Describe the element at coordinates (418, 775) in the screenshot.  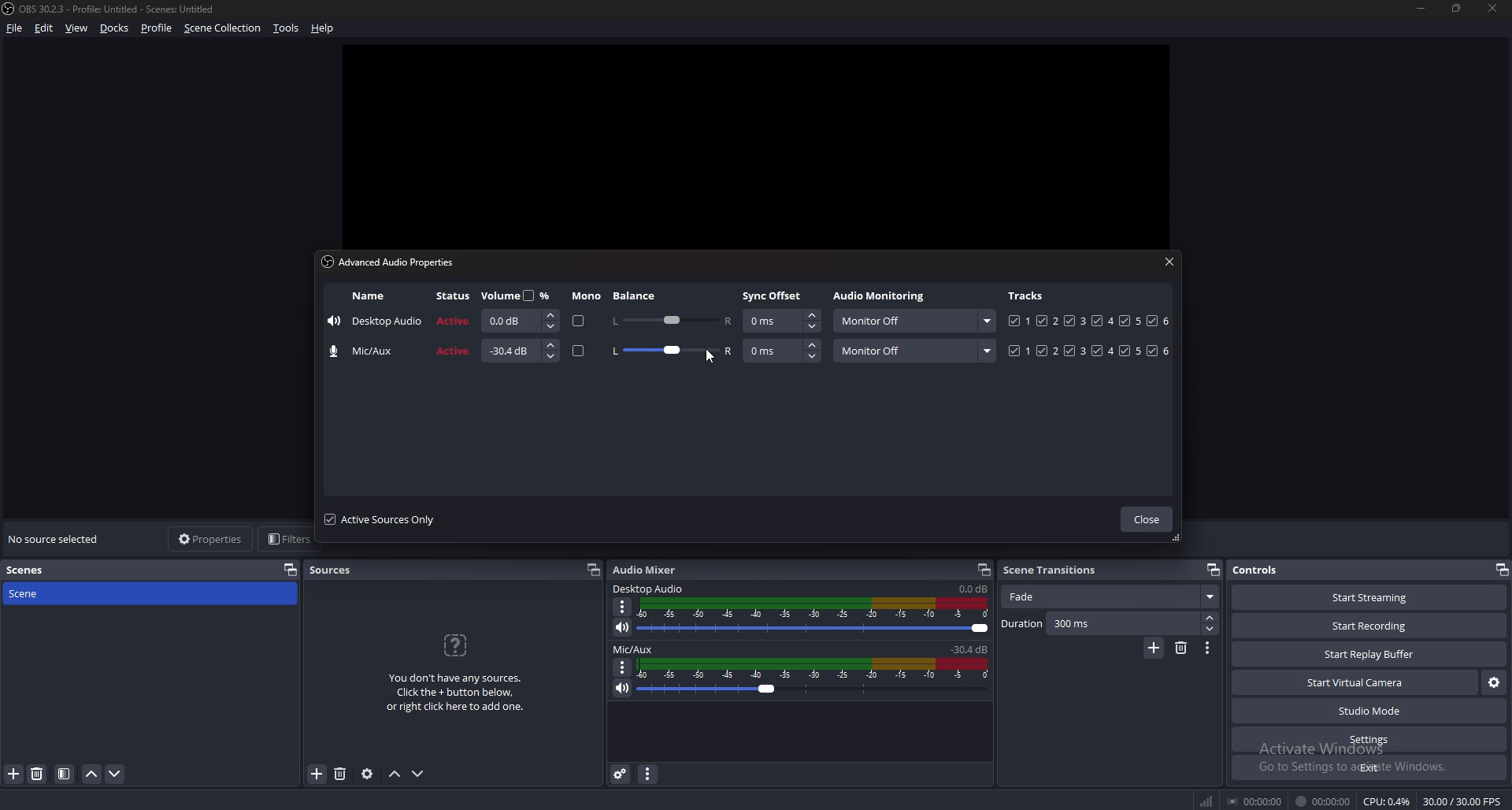
I see `move source down` at that location.